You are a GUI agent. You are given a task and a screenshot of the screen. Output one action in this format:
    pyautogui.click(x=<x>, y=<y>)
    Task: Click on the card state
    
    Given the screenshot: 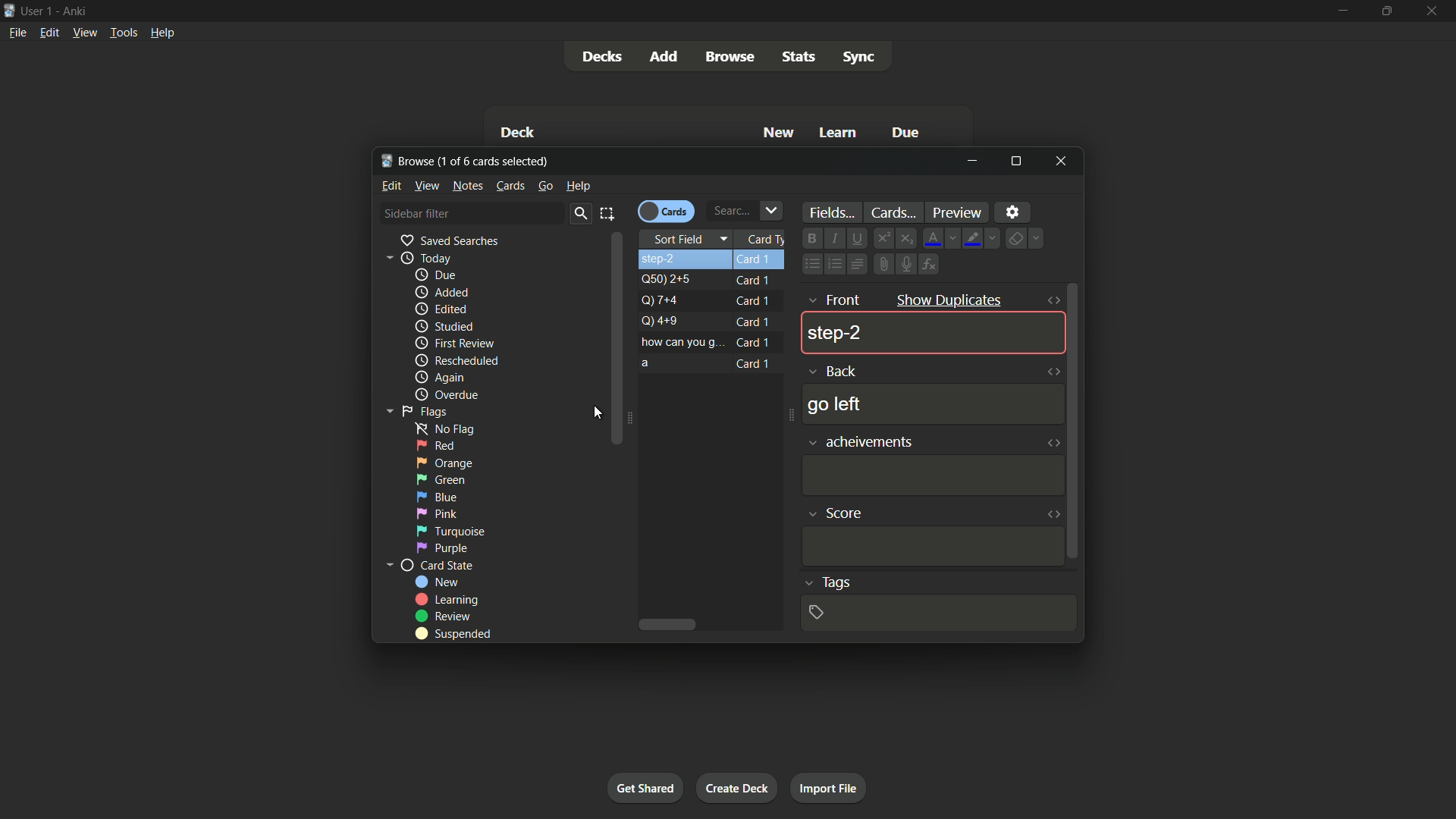 What is the action you would take?
    pyautogui.click(x=429, y=566)
    